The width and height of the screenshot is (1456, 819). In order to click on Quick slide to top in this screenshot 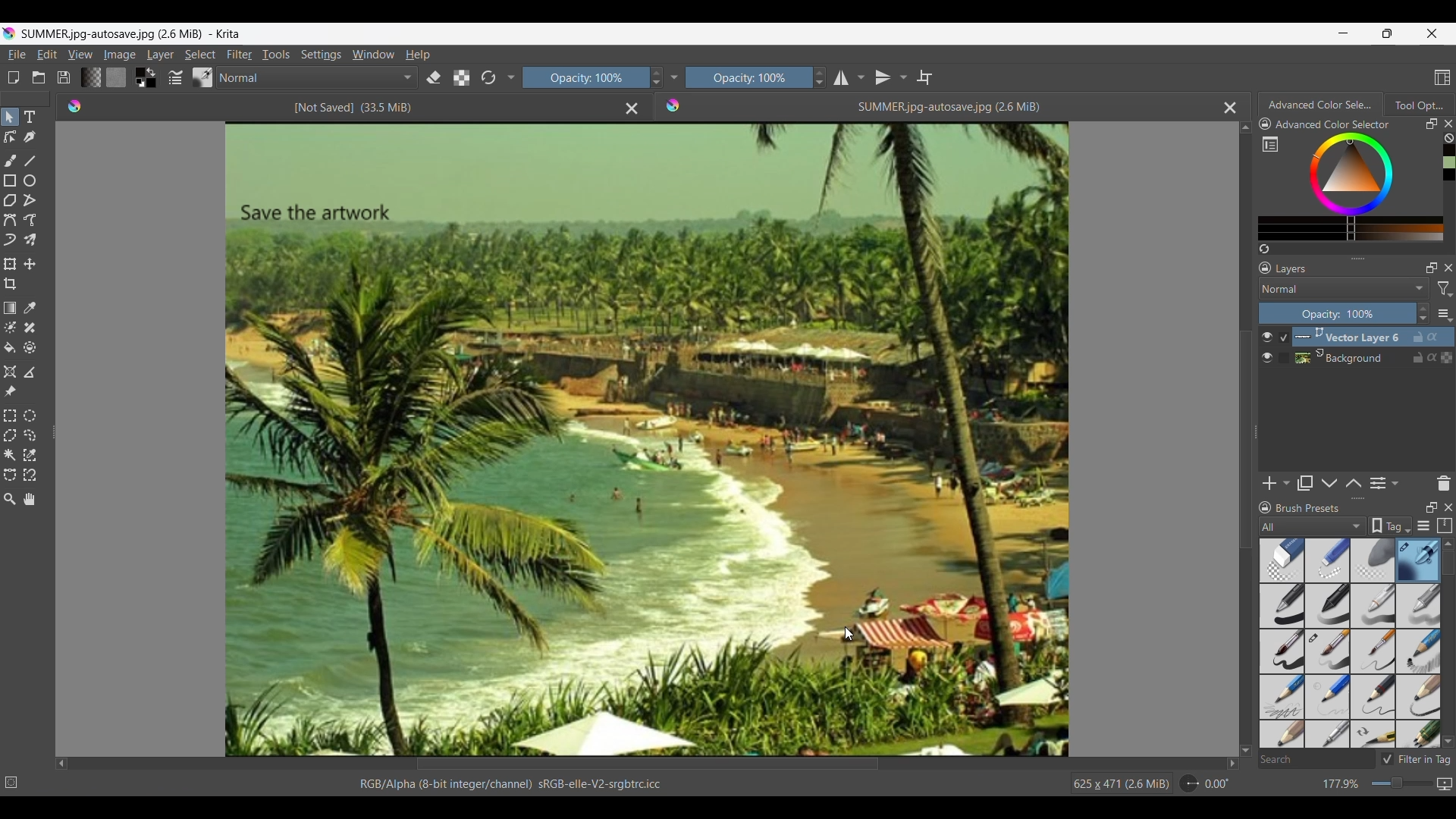, I will do `click(1245, 127)`.